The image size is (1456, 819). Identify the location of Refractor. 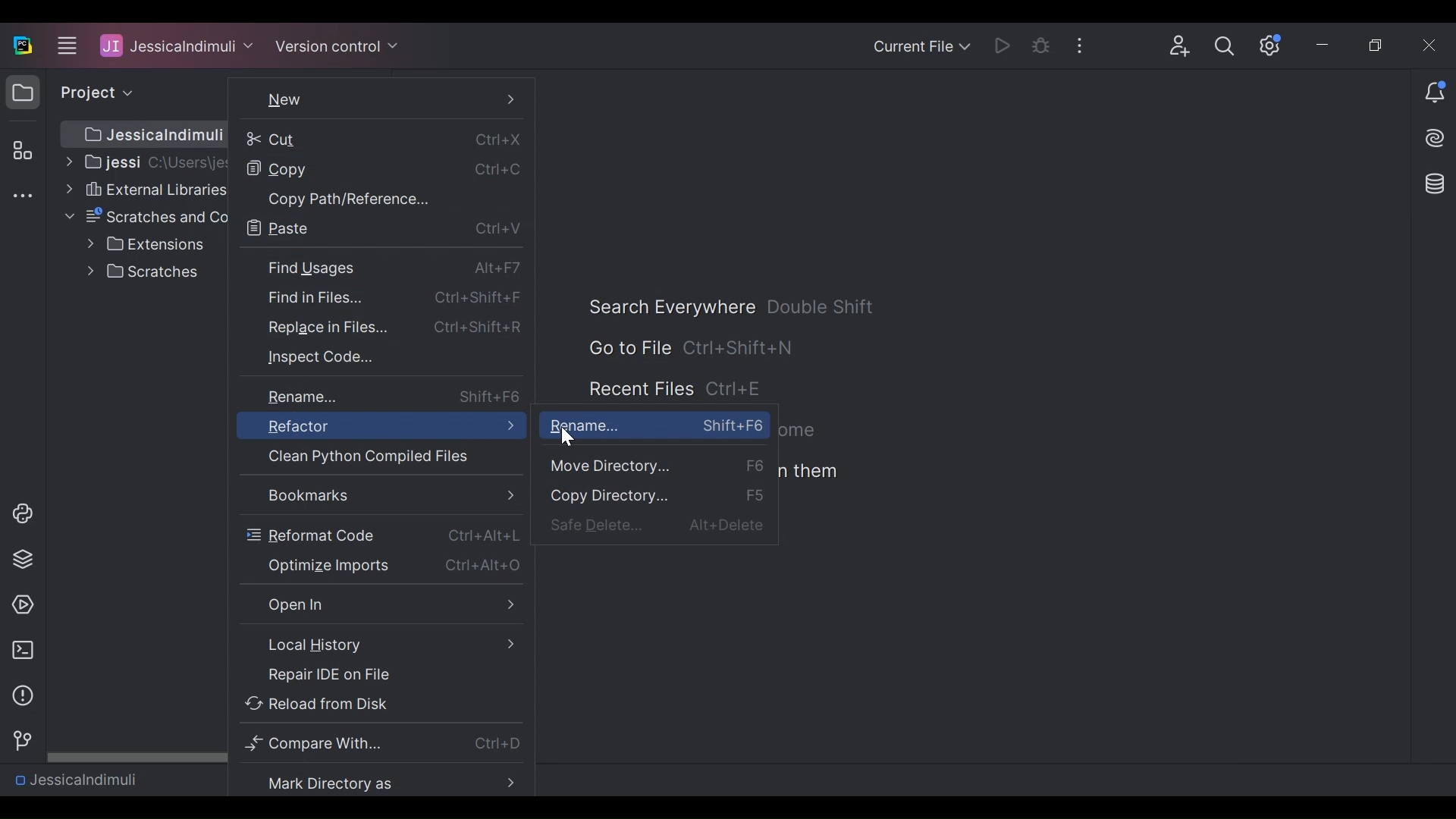
(379, 425).